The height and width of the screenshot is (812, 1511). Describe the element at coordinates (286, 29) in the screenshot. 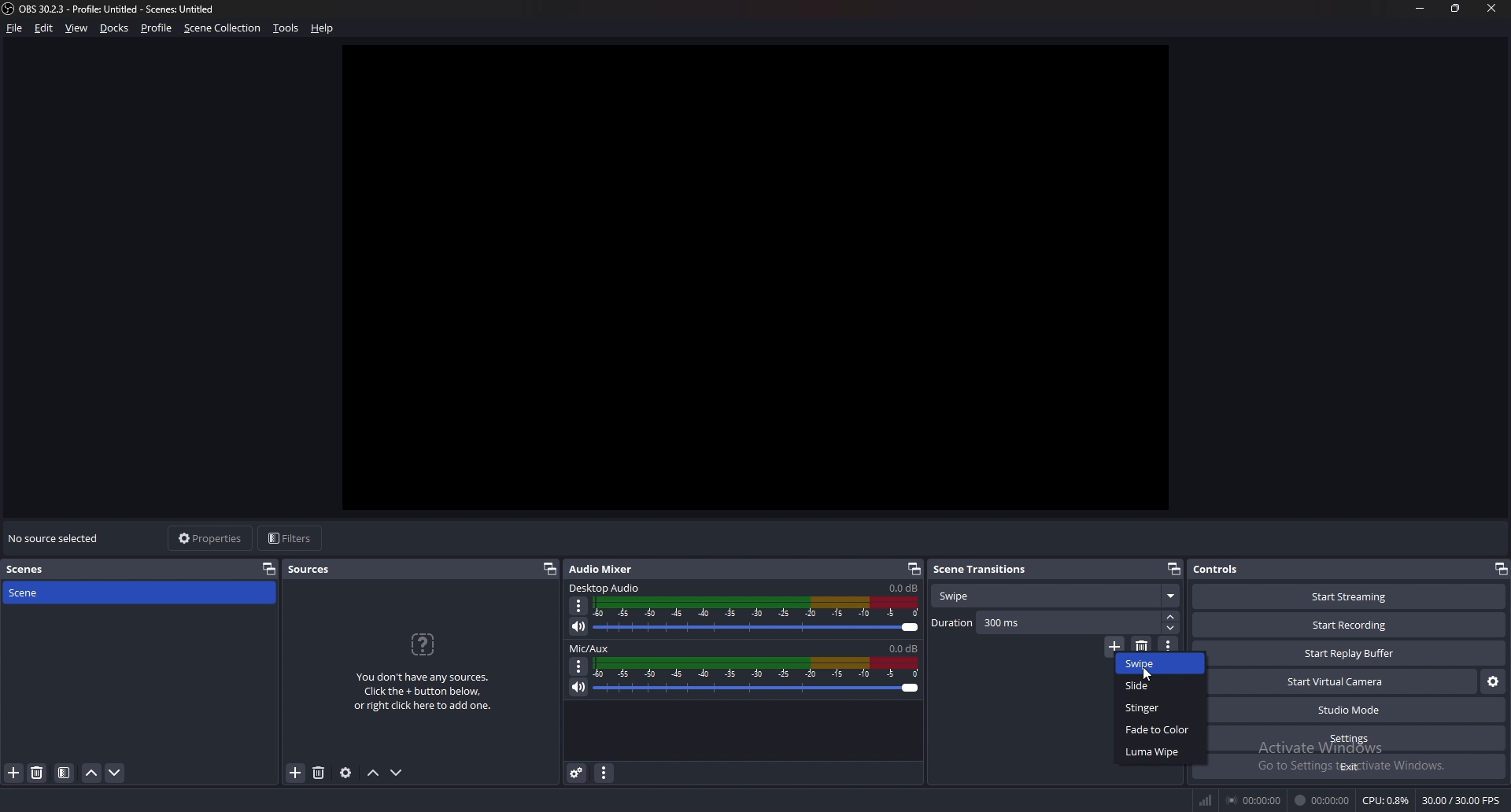

I see `tools` at that location.